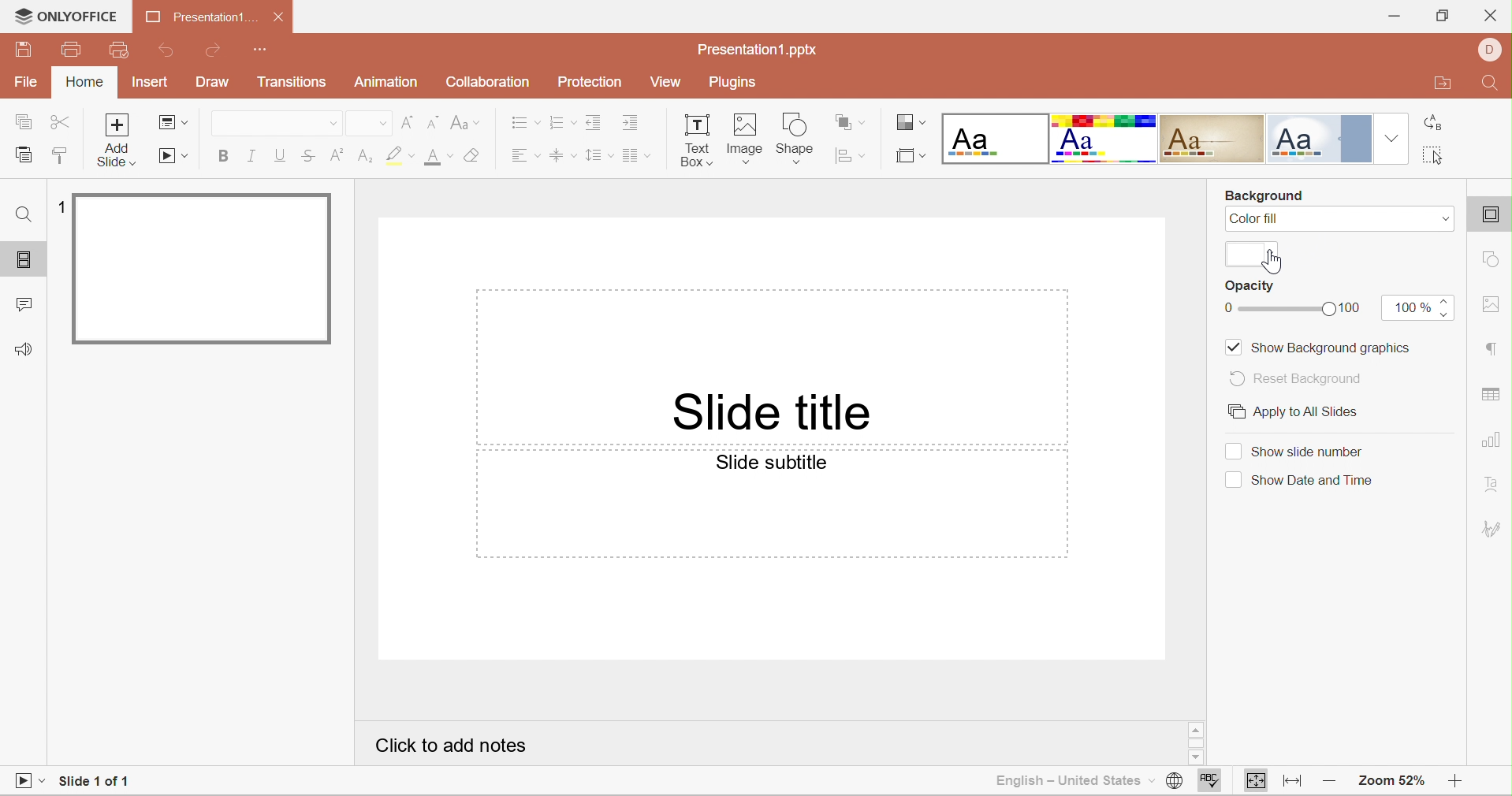  What do you see at coordinates (666, 82) in the screenshot?
I see `View` at bounding box center [666, 82].